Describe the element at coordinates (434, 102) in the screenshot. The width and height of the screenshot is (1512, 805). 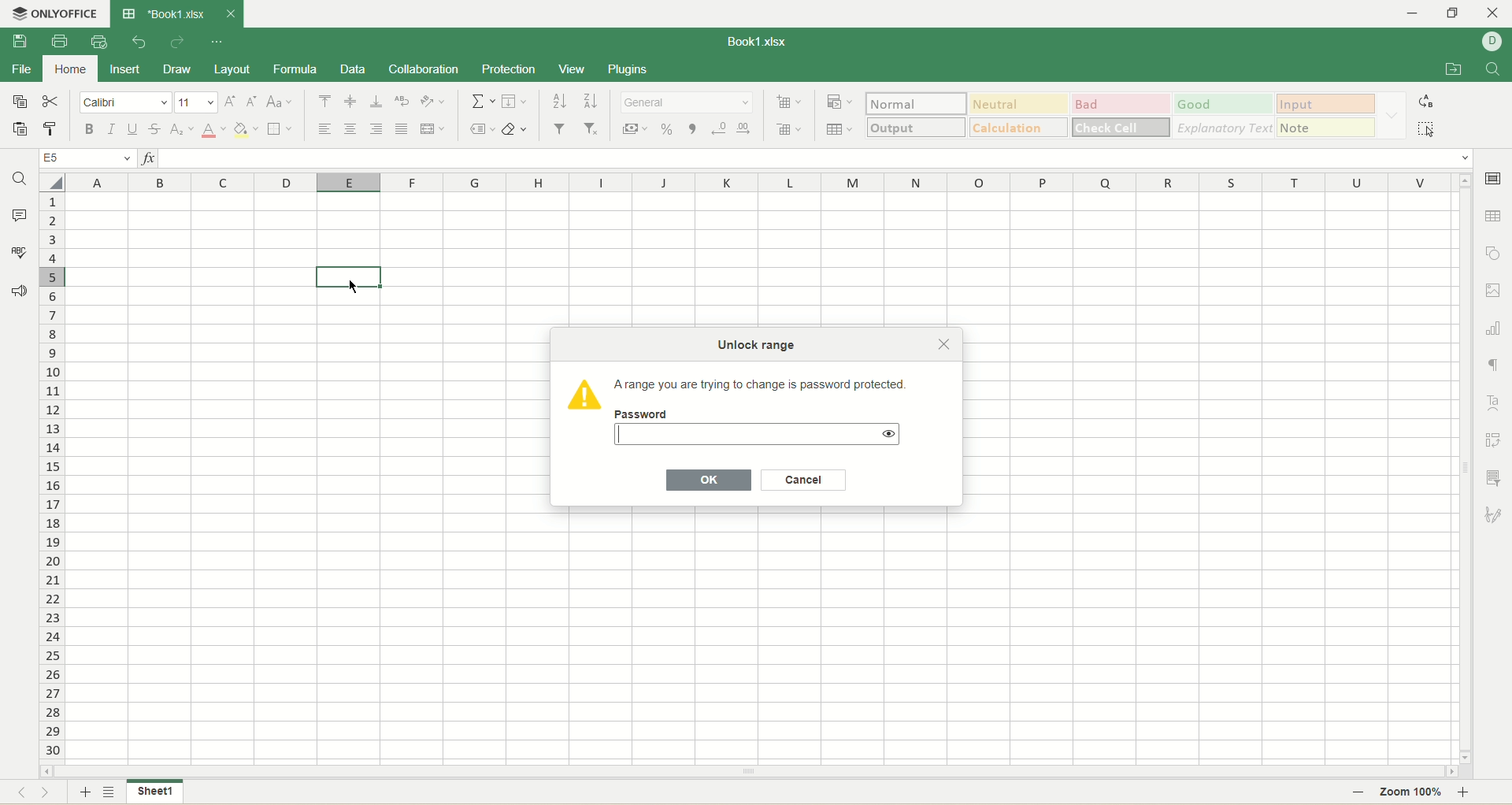
I see `orientation` at that location.